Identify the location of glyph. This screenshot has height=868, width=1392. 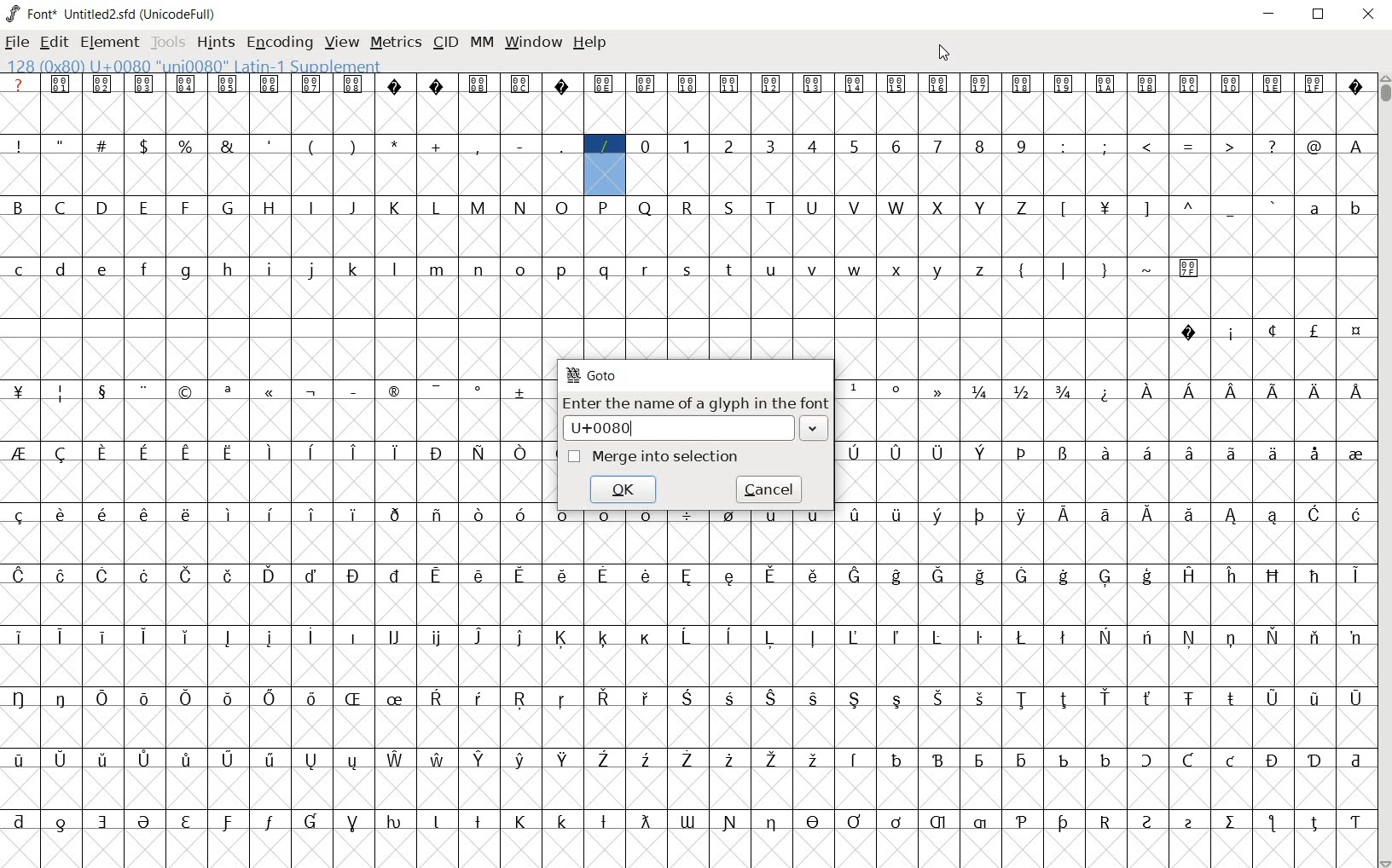
(229, 699).